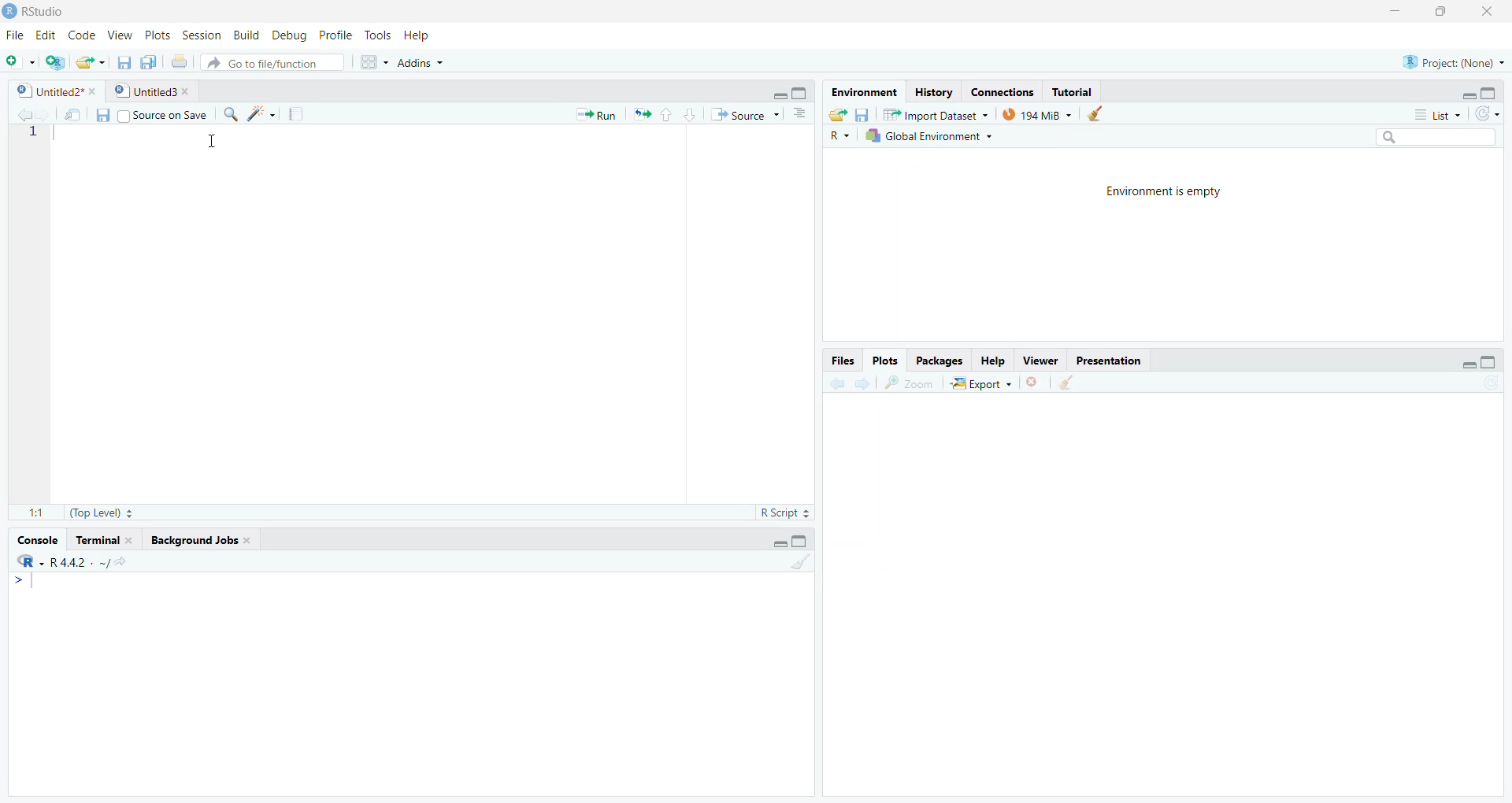  I want to click on Build, so click(244, 35).